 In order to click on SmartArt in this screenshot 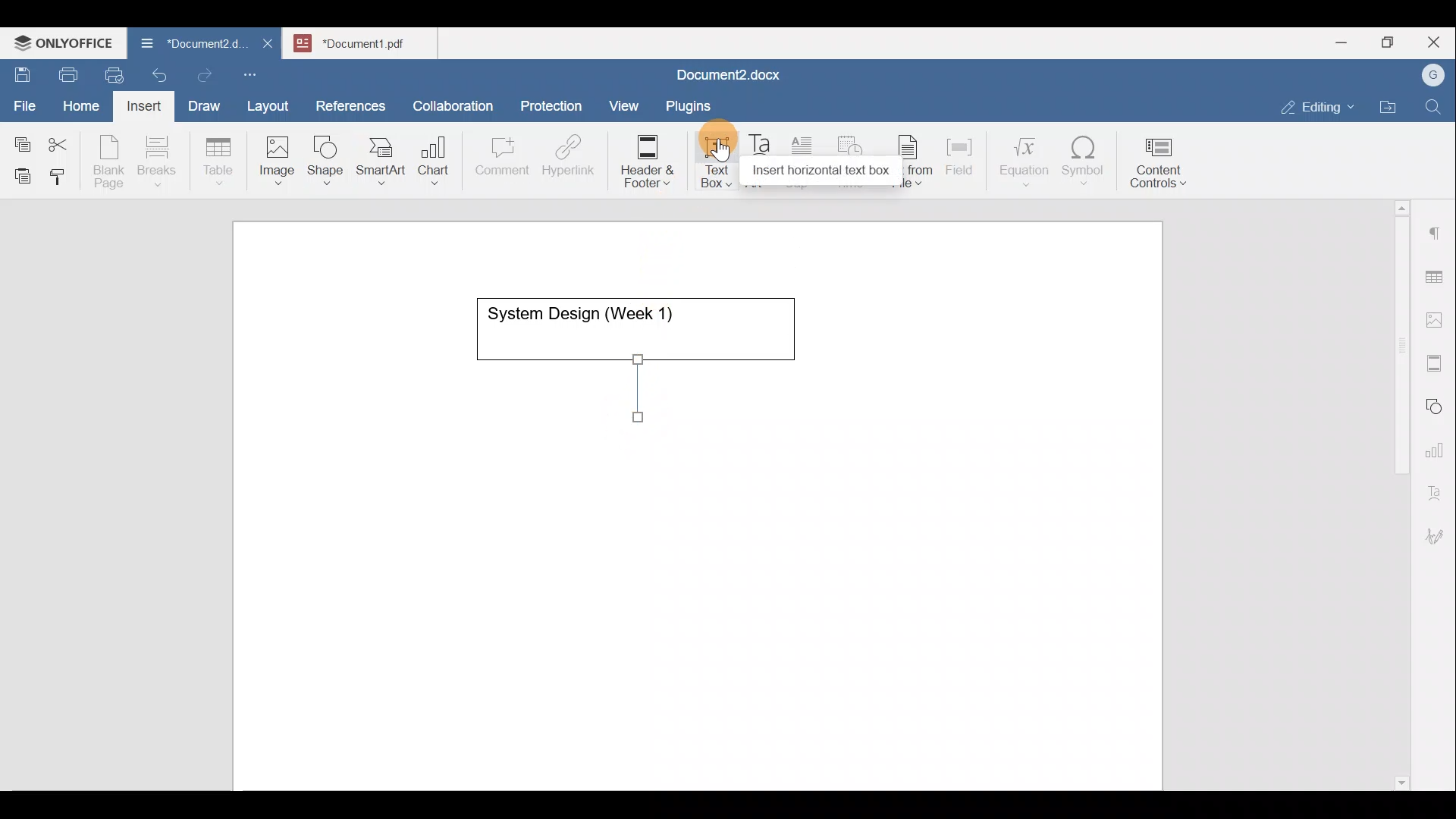, I will do `click(378, 158)`.